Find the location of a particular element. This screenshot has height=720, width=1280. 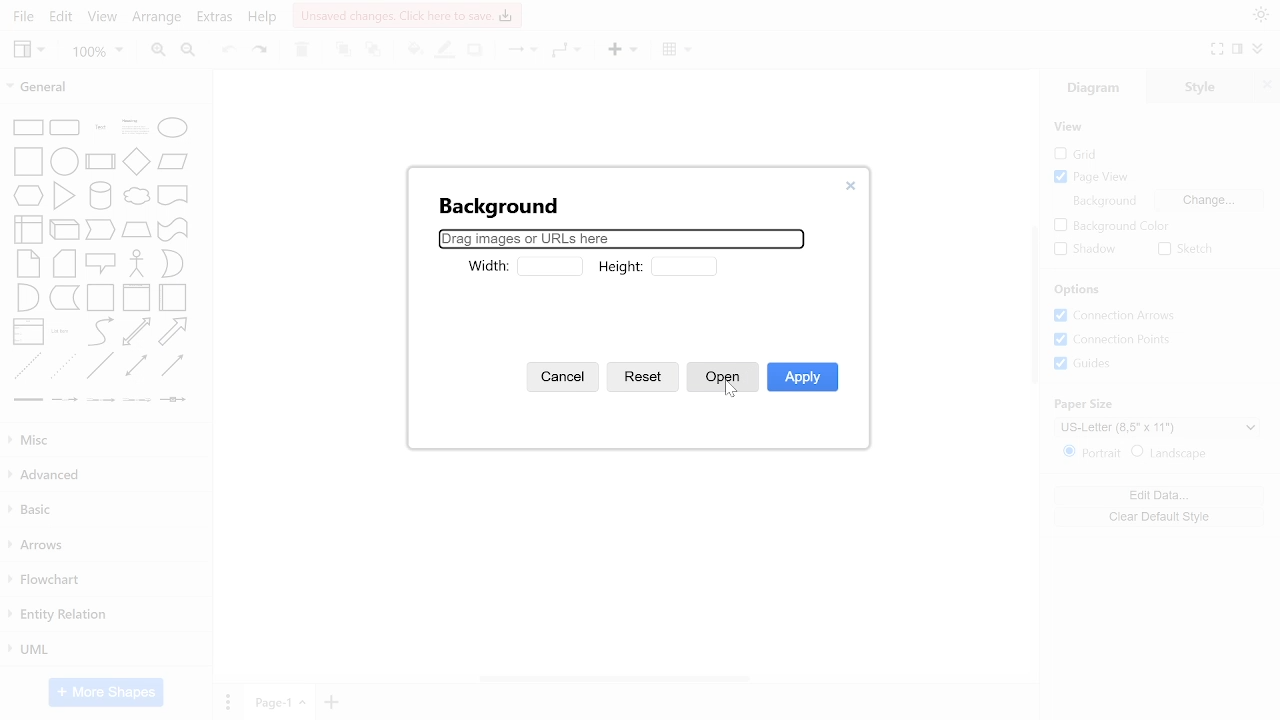

change background is located at coordinates (1209, 200).